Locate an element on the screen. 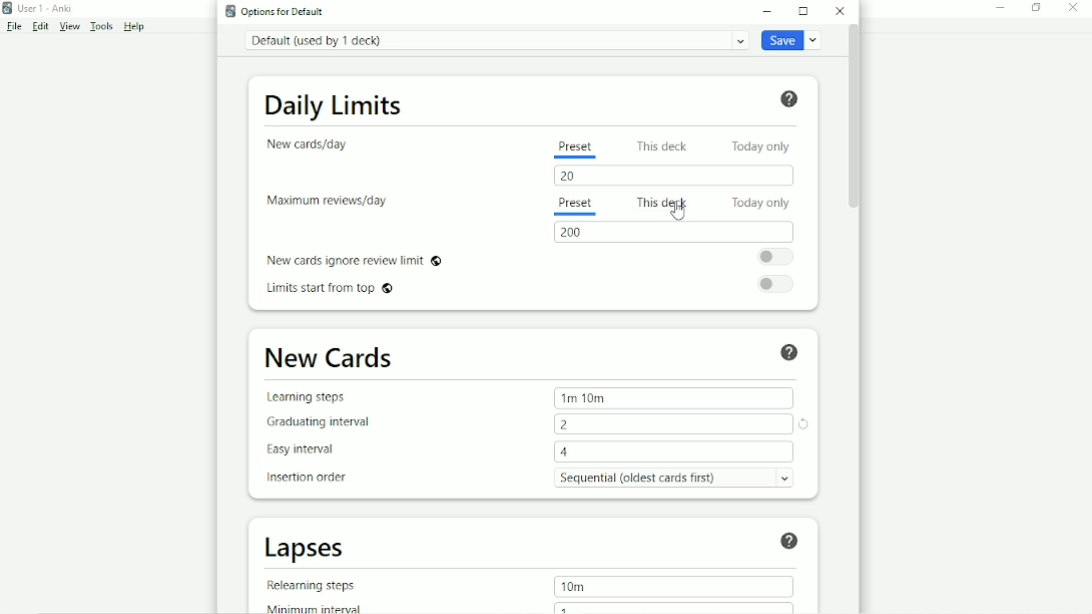  Preset is located at coordinates (573, 205).